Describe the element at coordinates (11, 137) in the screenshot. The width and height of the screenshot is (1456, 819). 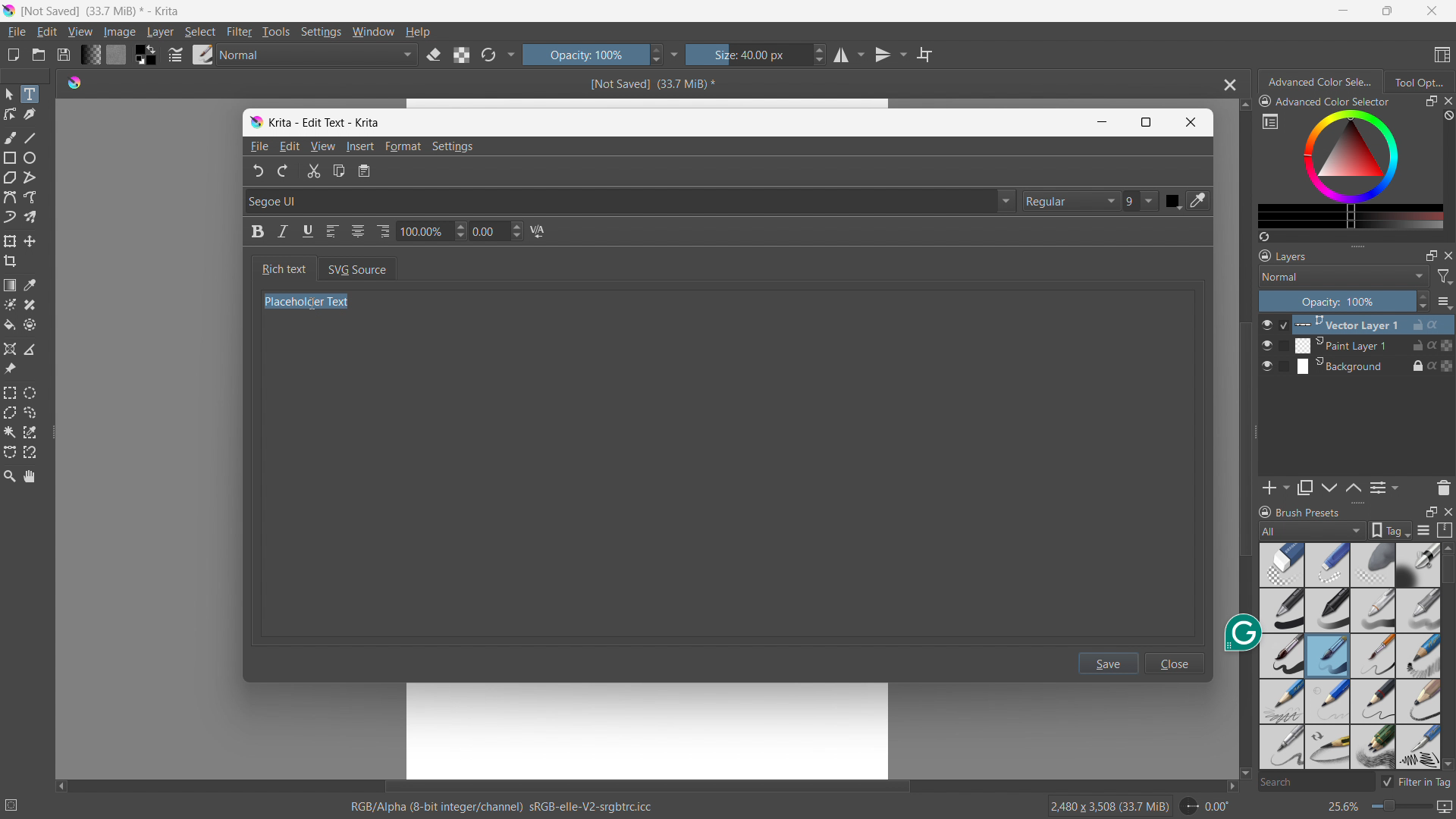
I see `freehand brush tool` at that location.